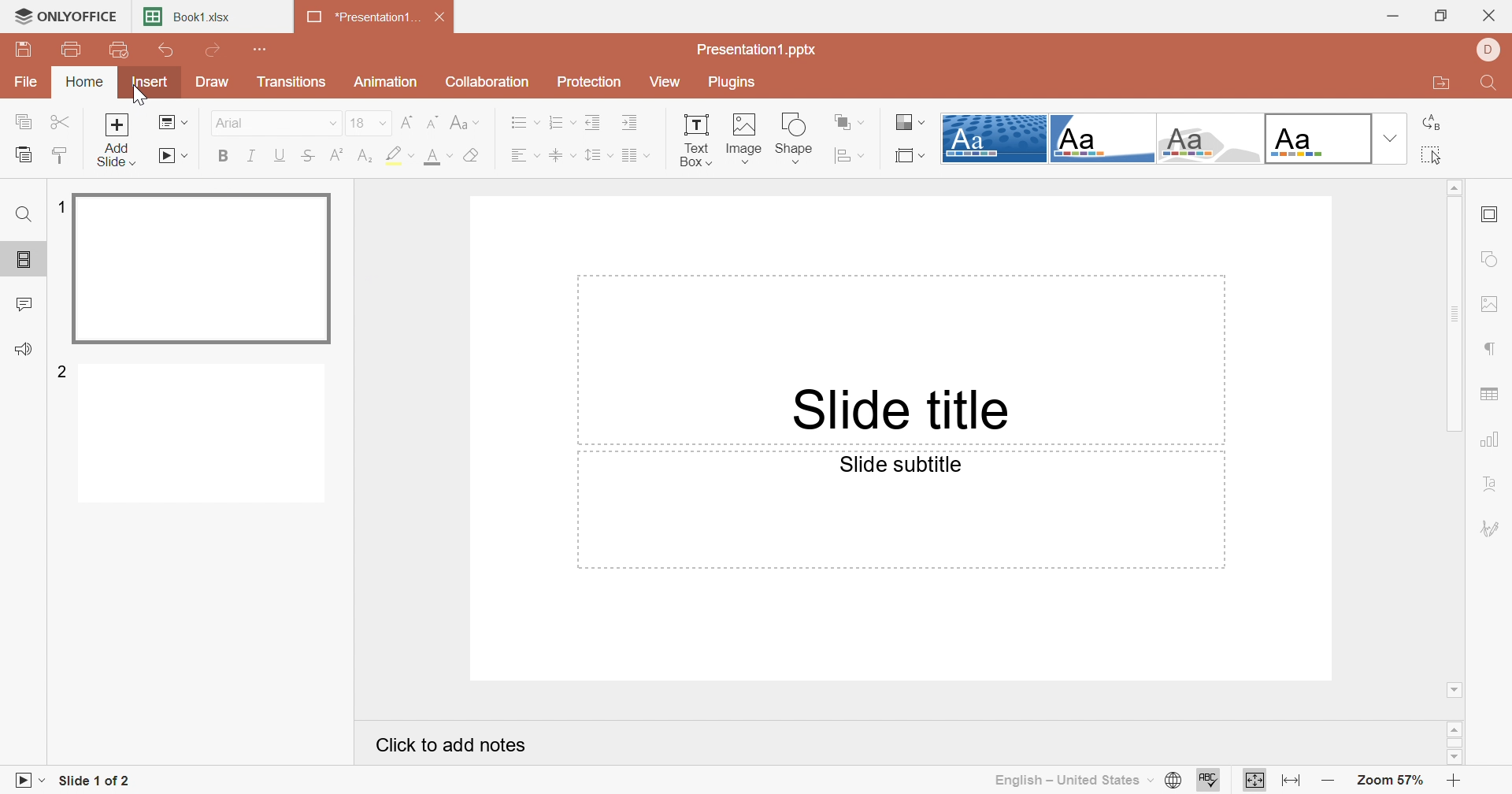 The width and height of the screenshot is (1512, 794). What do you see at coordinates (1458, 743) in the screenshot?
I see `Scroll Bar` at bounding box center [1458, 743].